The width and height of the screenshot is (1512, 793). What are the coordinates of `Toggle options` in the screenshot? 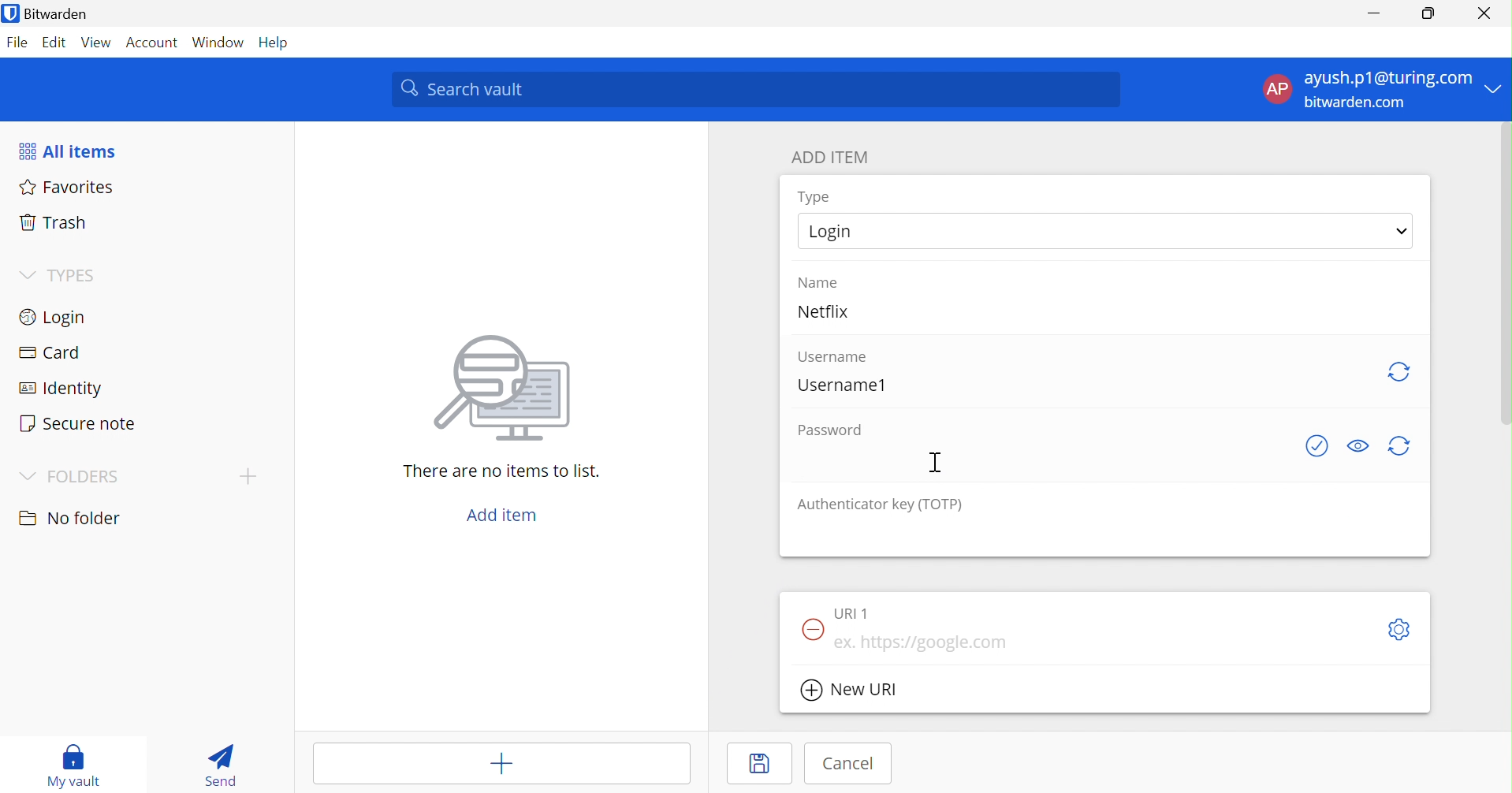 It's located at (1401, 629).